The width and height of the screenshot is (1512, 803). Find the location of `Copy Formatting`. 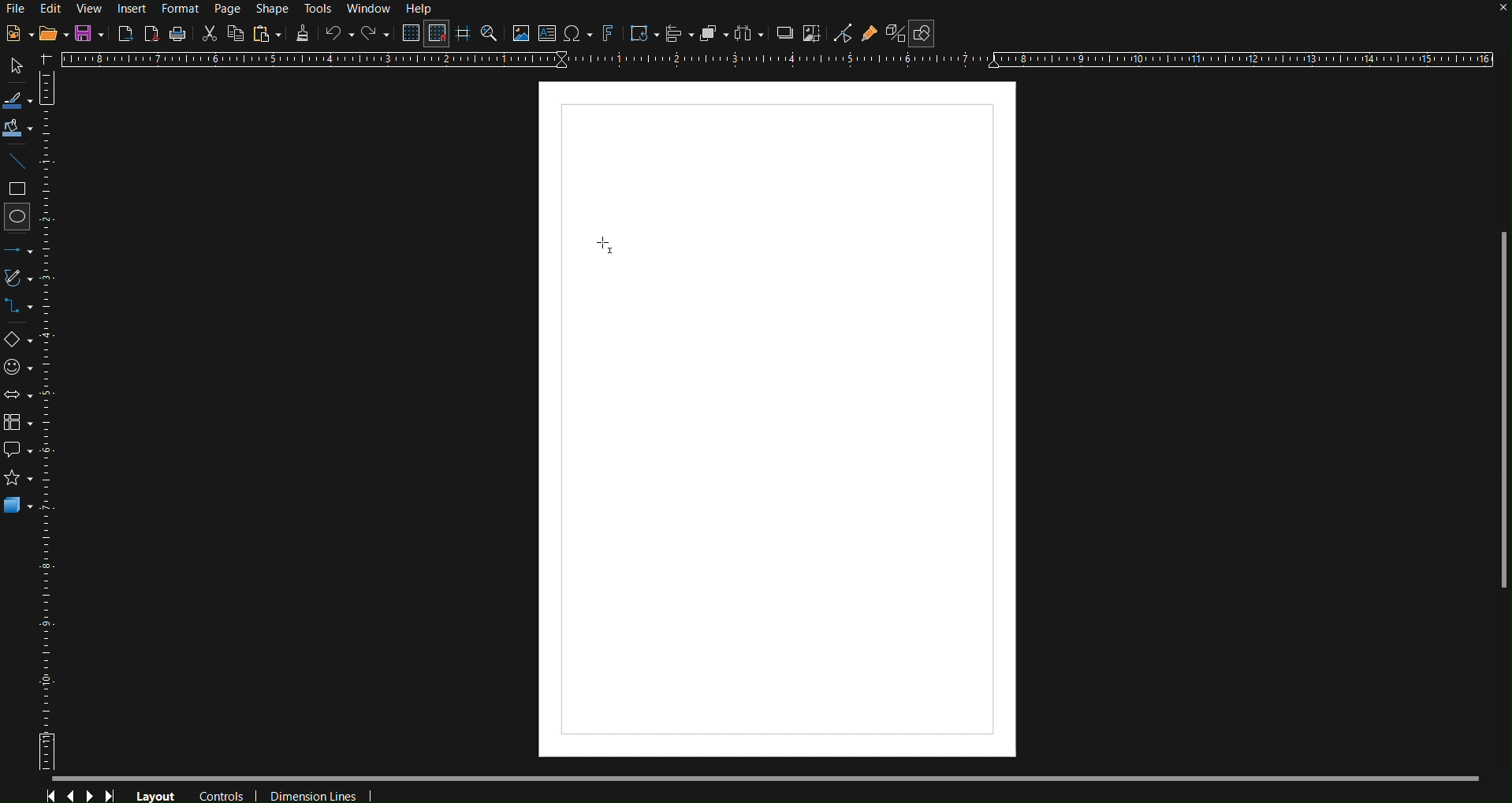

Copy Formatting is located at coordinates (303, 34).